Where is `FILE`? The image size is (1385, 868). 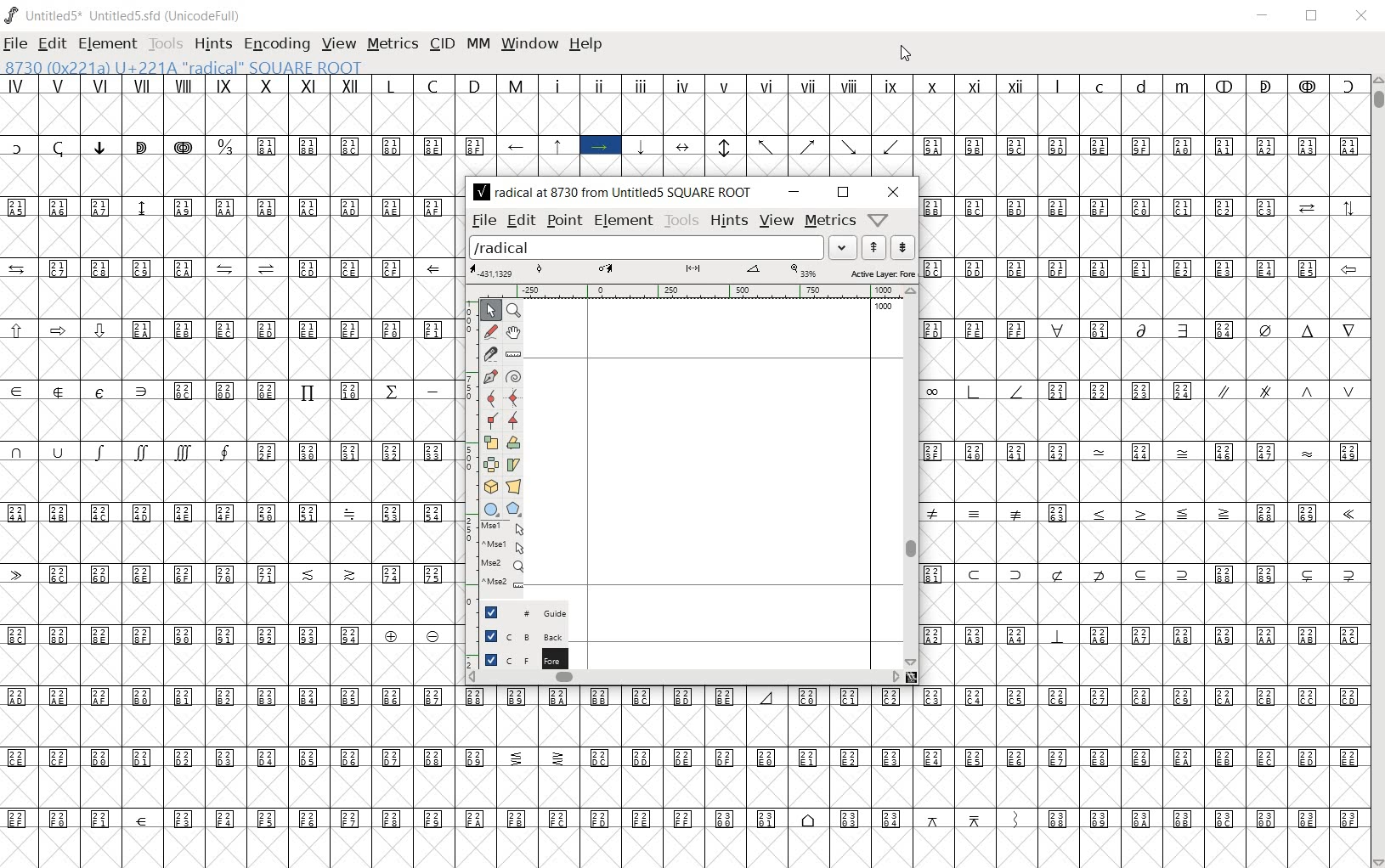 FILE is located at coordinates (15, 46).